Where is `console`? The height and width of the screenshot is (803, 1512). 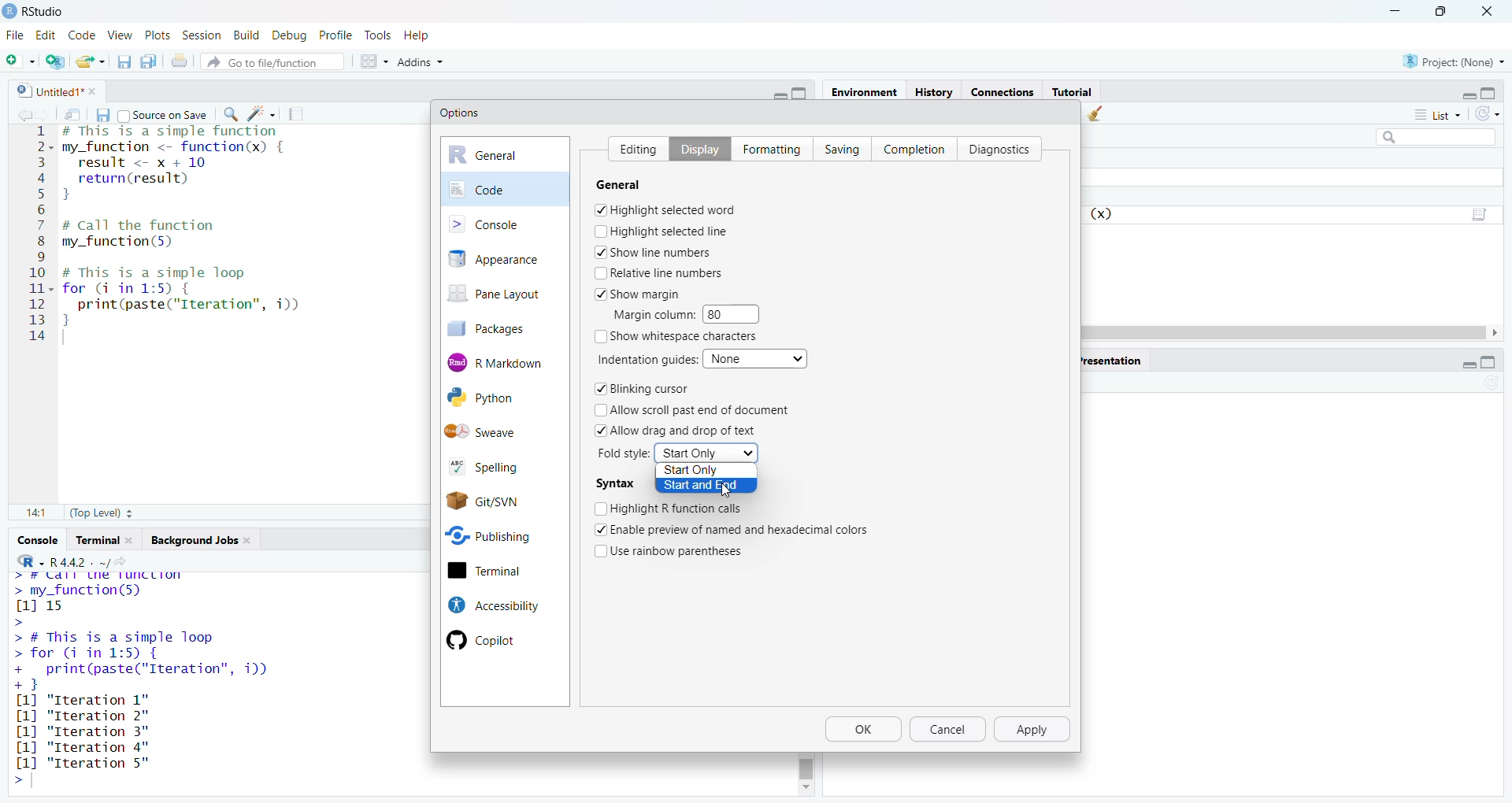 console is located at coordinates (505, 223).